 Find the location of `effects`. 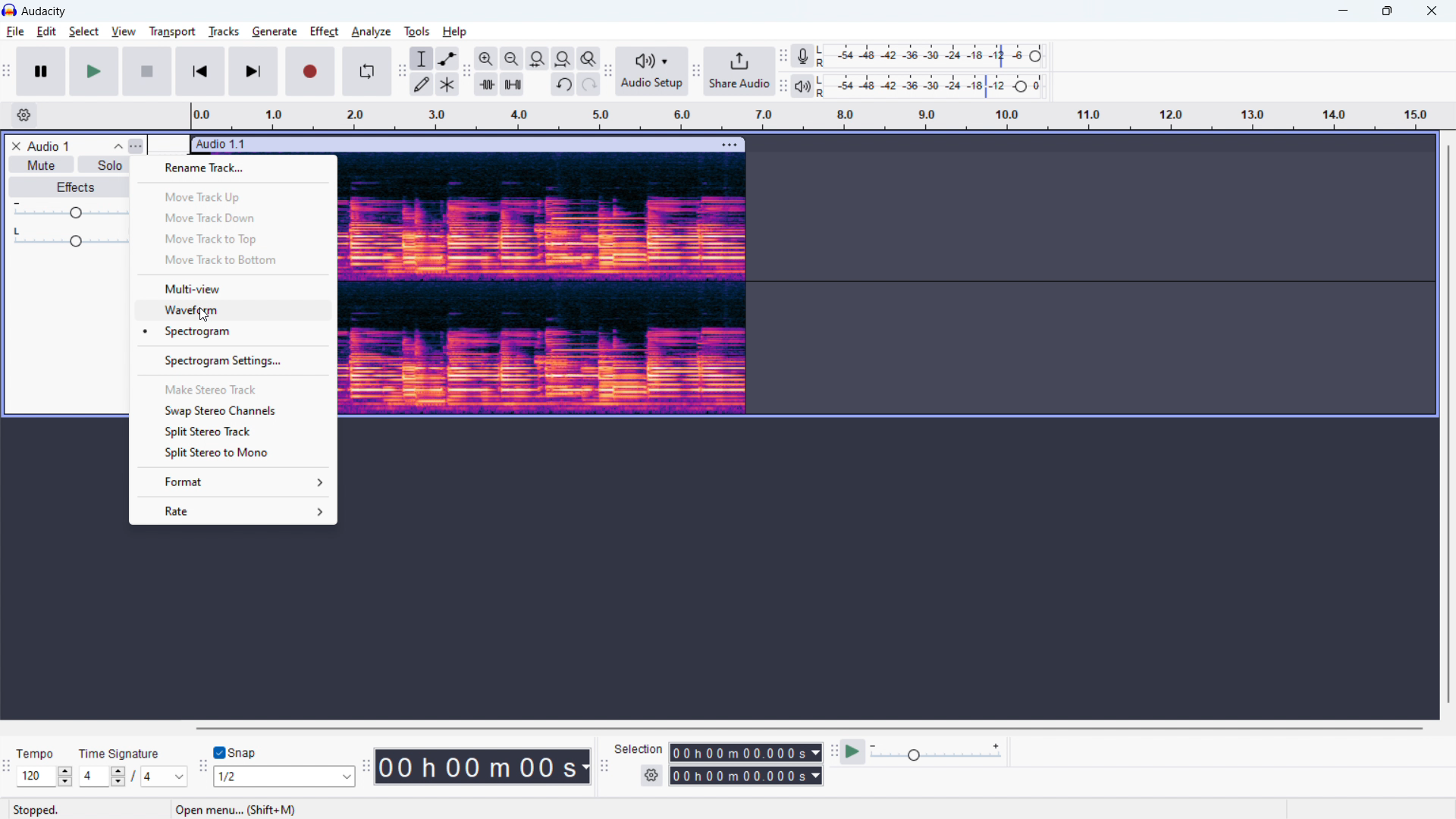

effects is located at coordinates (69, 188).